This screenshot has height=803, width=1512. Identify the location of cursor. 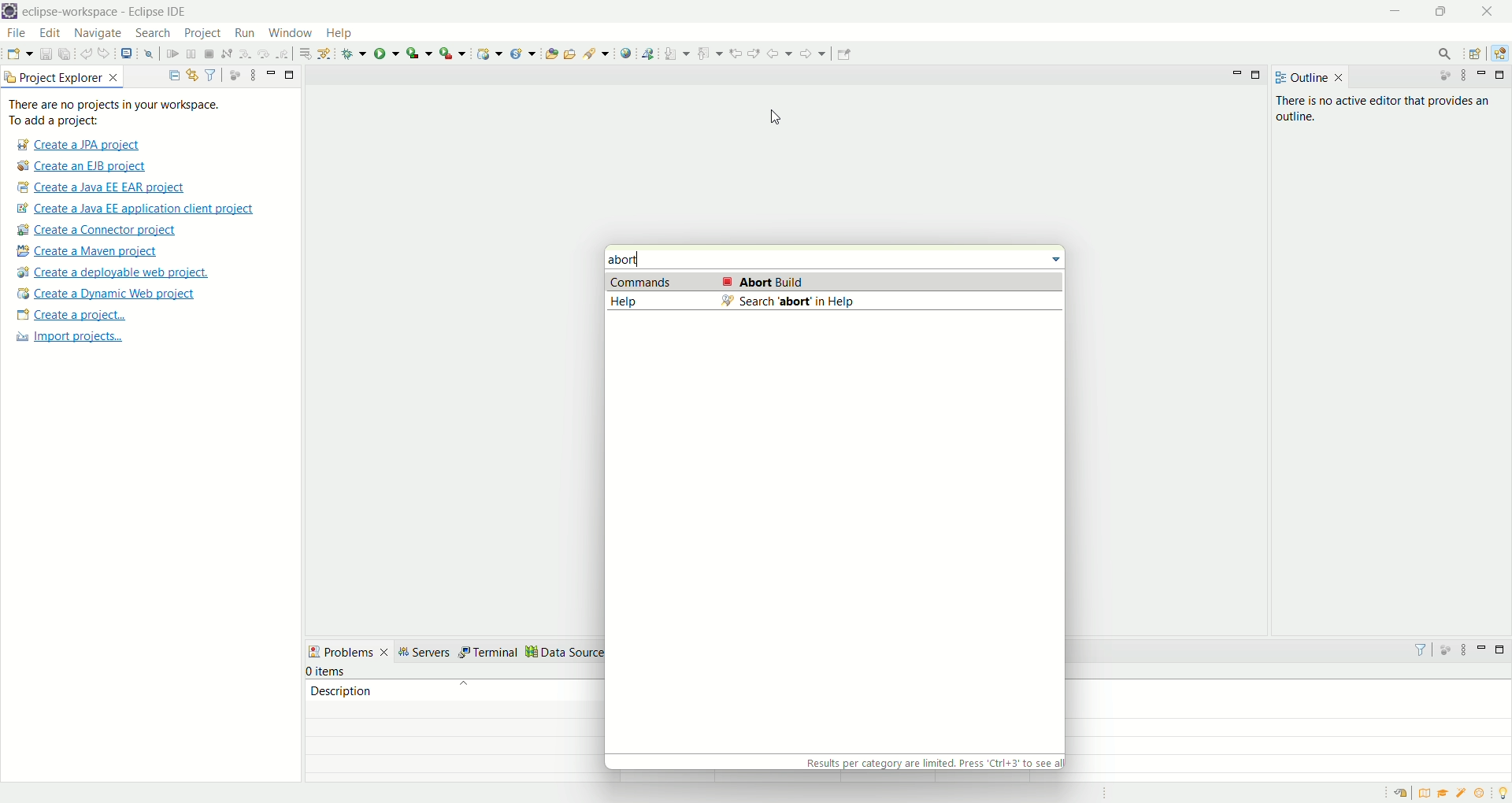
(784, 121).